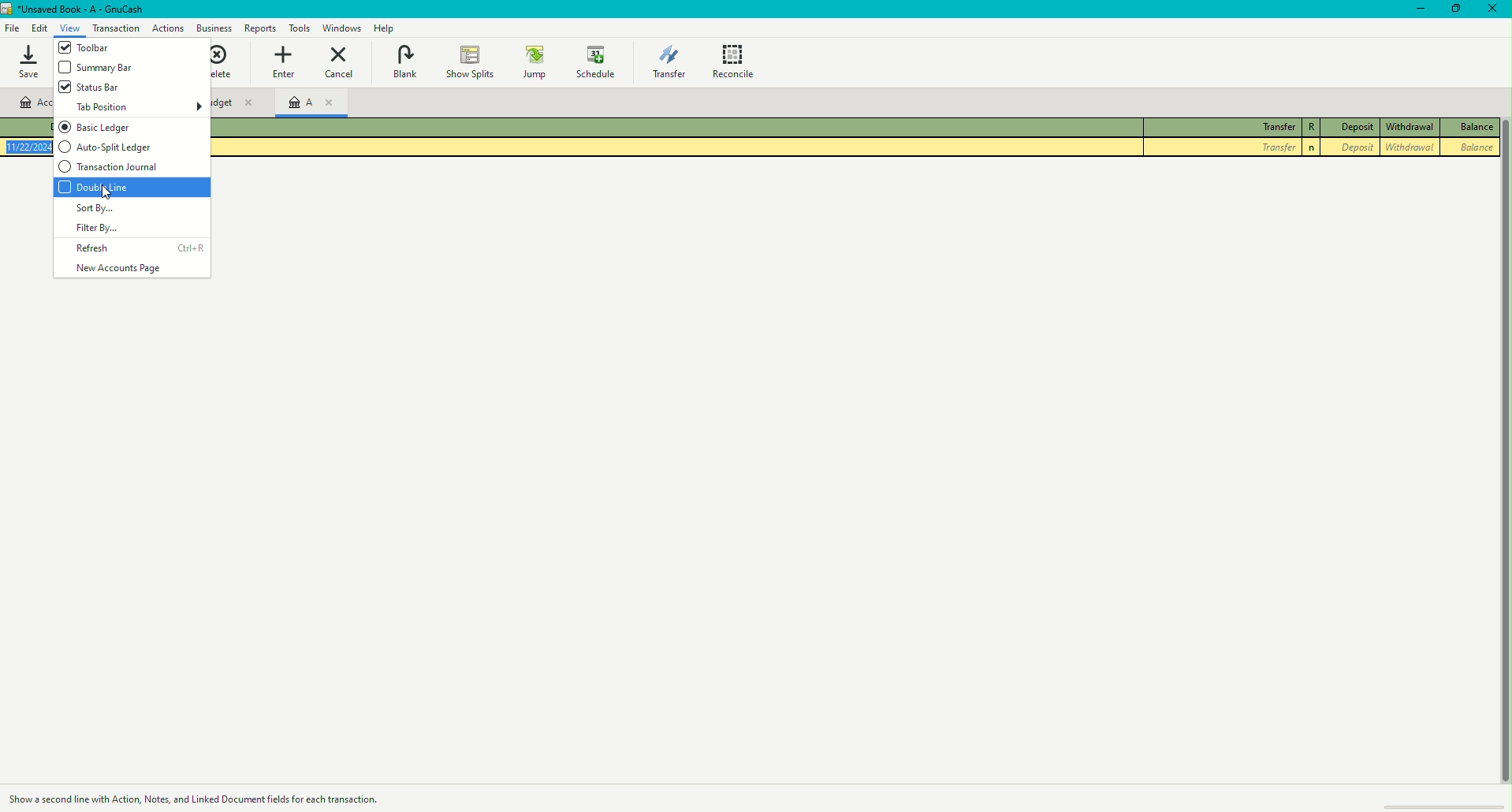 Image resolution: width=1512 pixels, height=812 pixels. Describe the element at coordinates (99, 229) in the screenshot. I see `Filter by` at that location.